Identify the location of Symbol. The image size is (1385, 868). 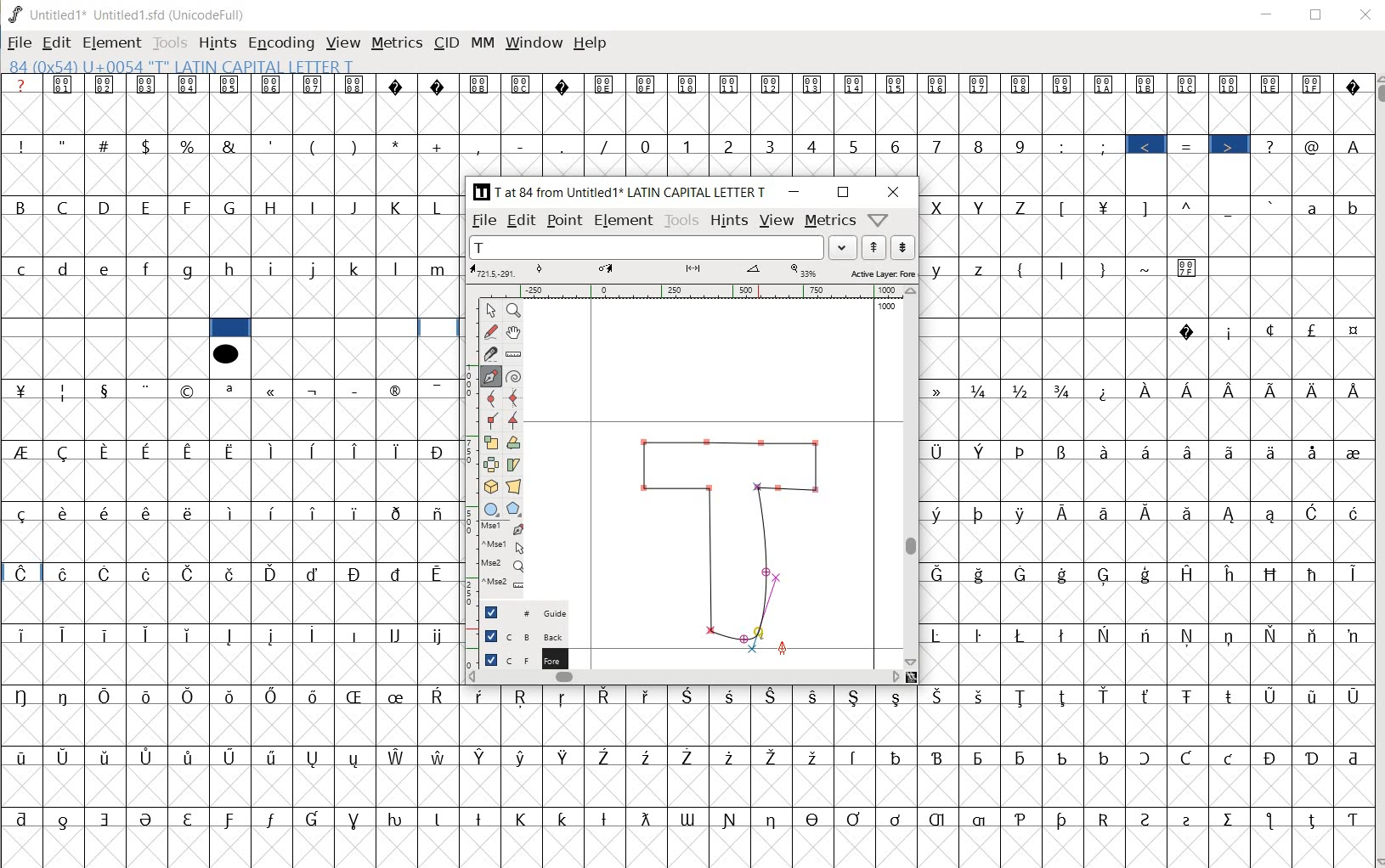
(1310, 695).